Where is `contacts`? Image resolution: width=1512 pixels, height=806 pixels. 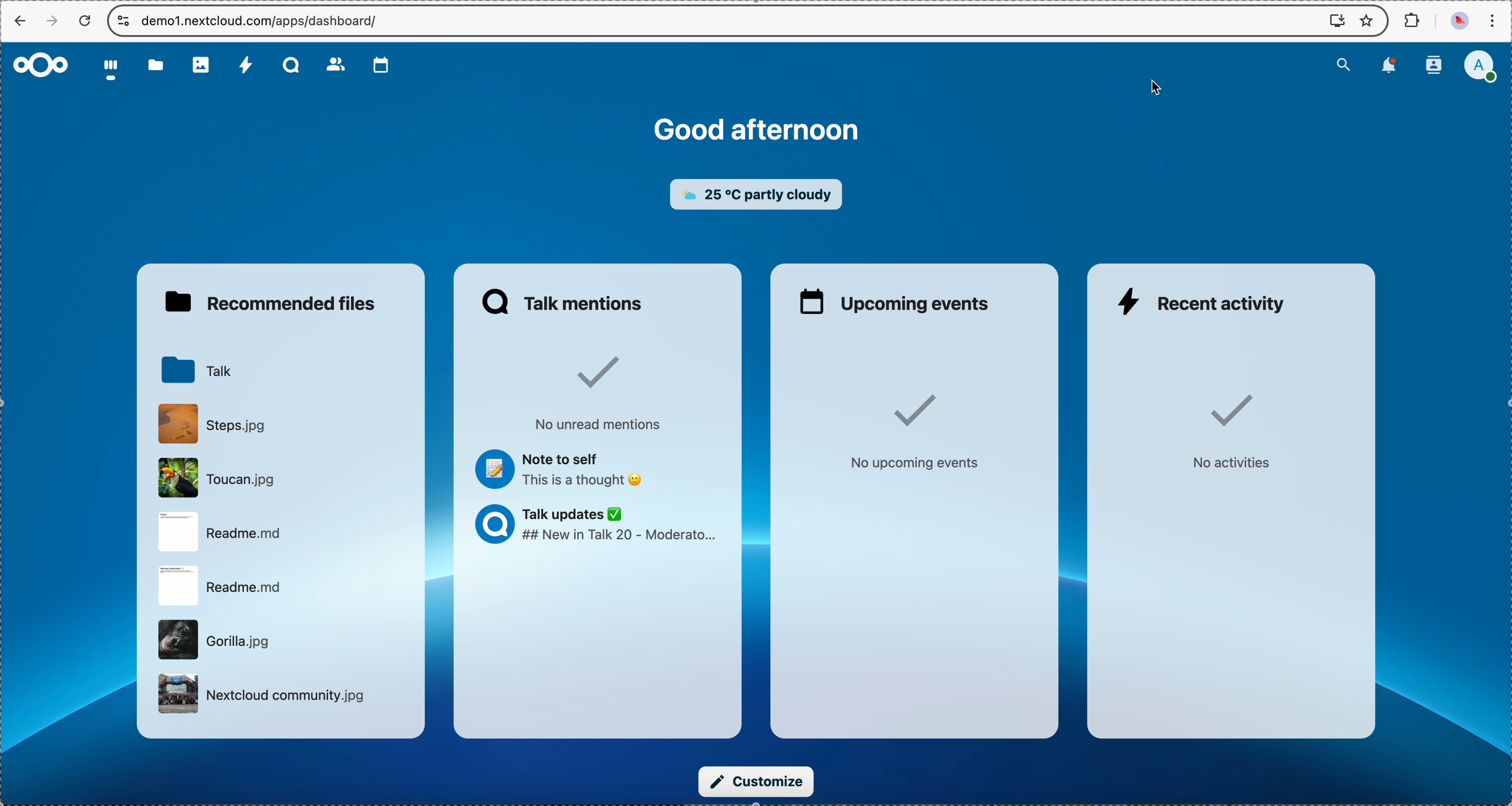 contacts is located at coordinates (335, 65).